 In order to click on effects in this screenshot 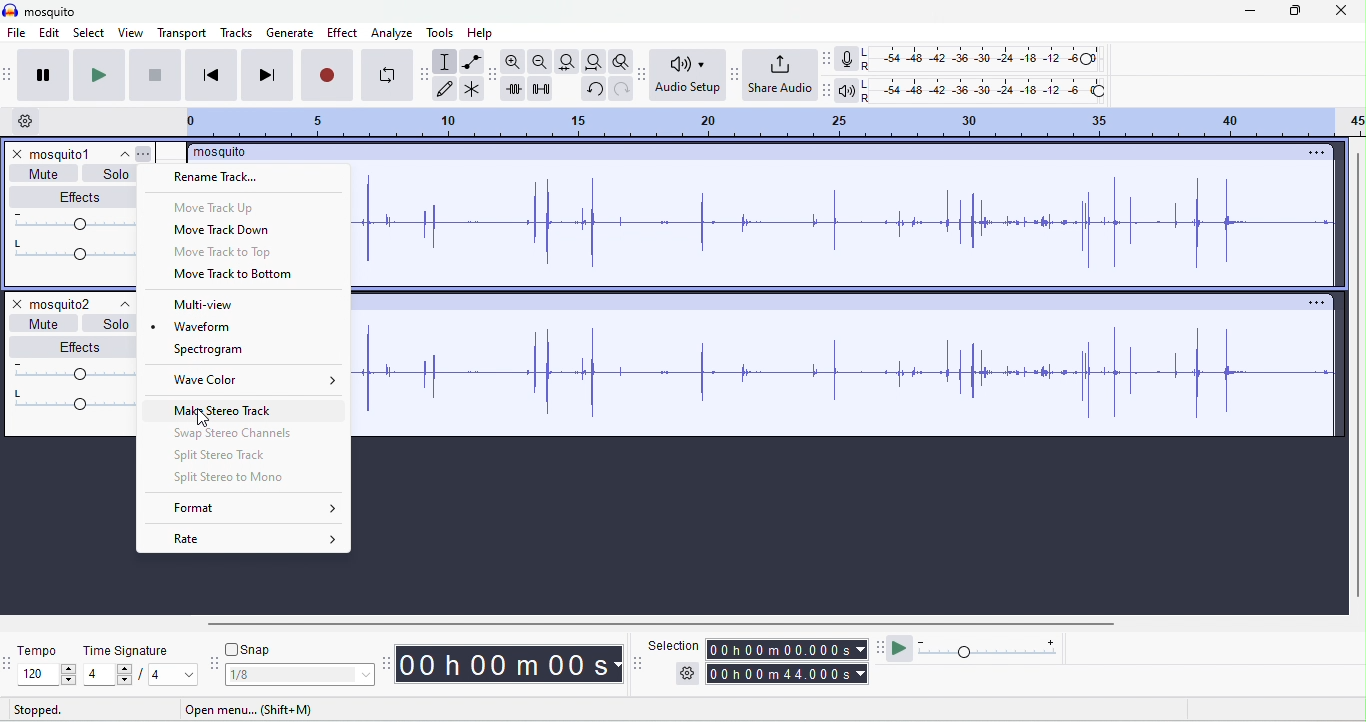, I will do `click(82, 195)`.